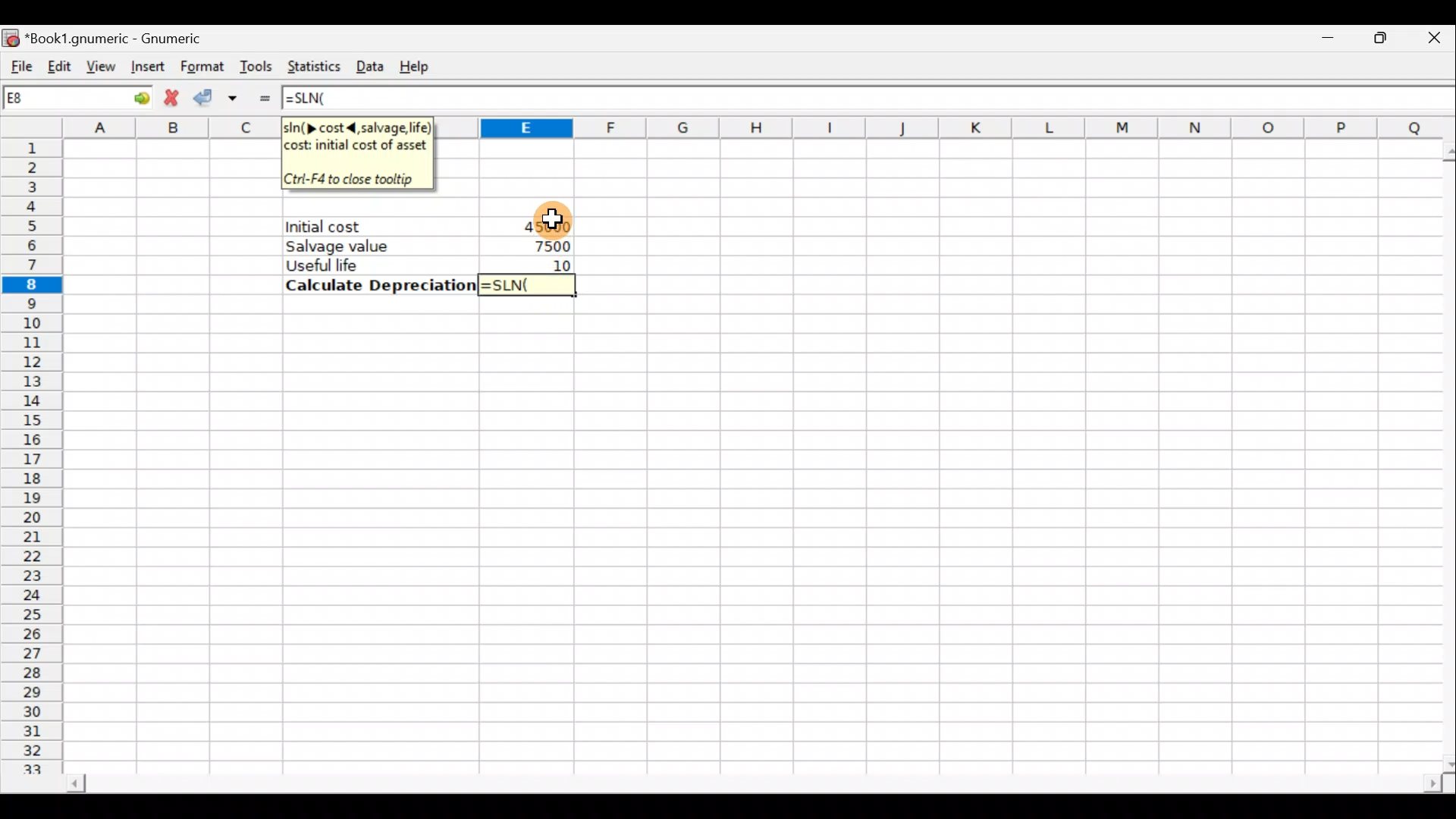 The image size is (1456, 819). What do you see at coordinates (542, 225) in the screenshot?
I see `45000` at bounding box center [542, 225].